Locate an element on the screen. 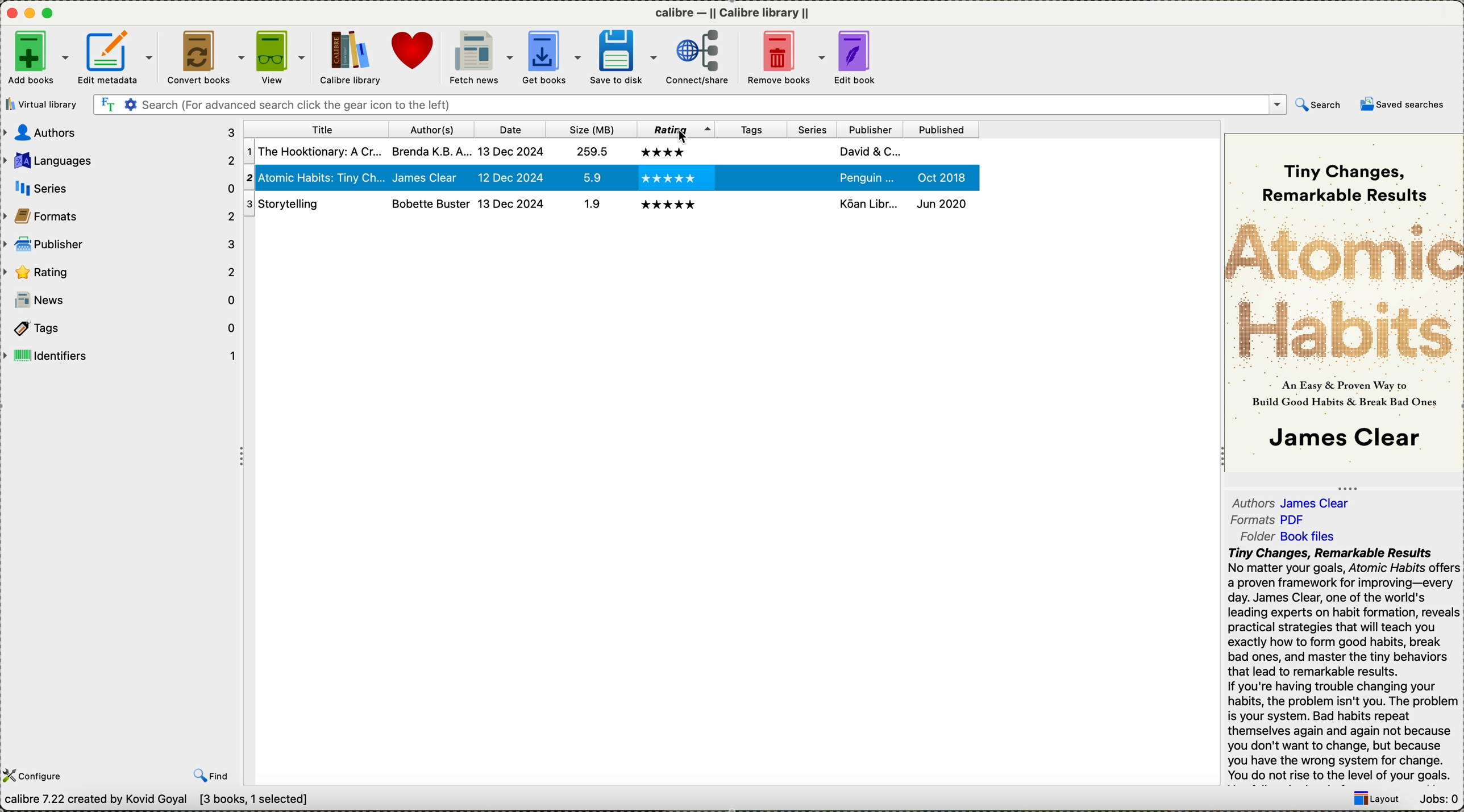 This screenshot has width=1464, height=812. oct 2018 is located at coordinates (945, 151).